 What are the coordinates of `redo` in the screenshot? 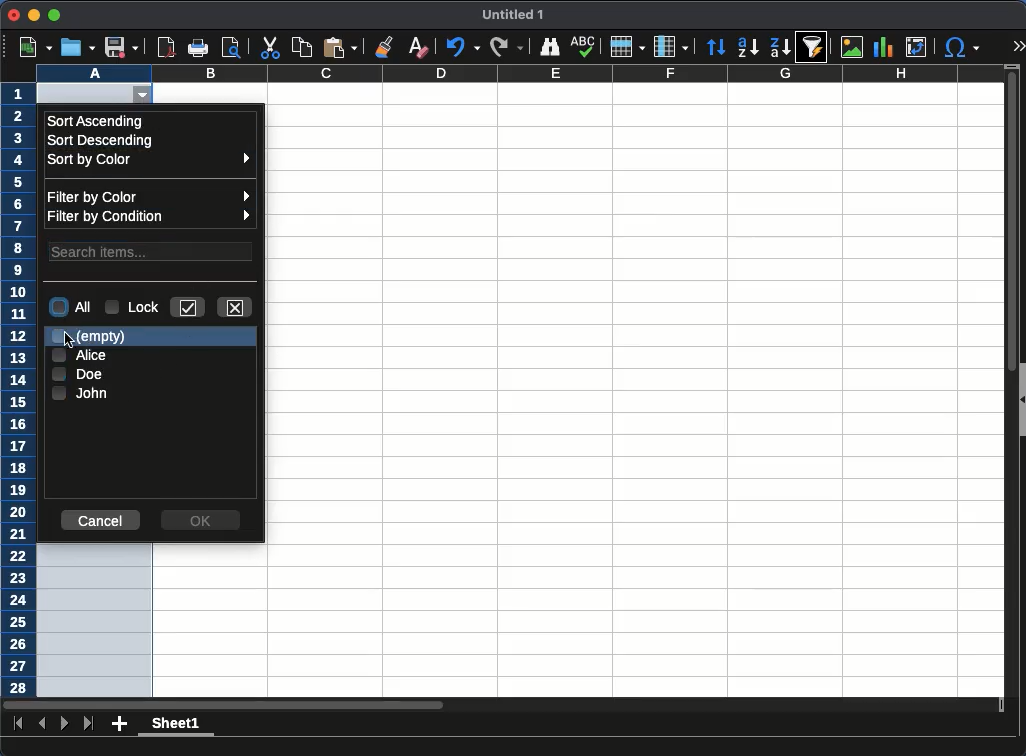 It's located at (505, 48).